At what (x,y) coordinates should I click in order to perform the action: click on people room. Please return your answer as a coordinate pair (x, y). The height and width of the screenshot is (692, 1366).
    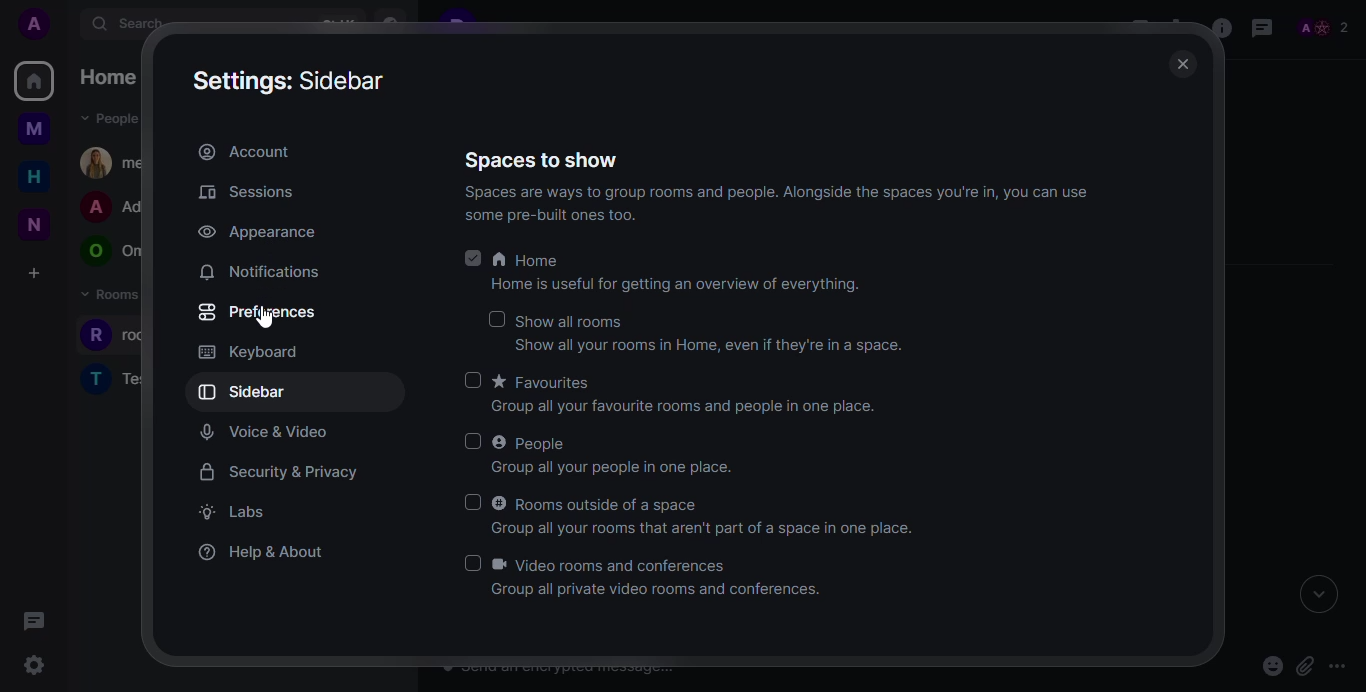
    Looking at the image, I should click on (115, 208).